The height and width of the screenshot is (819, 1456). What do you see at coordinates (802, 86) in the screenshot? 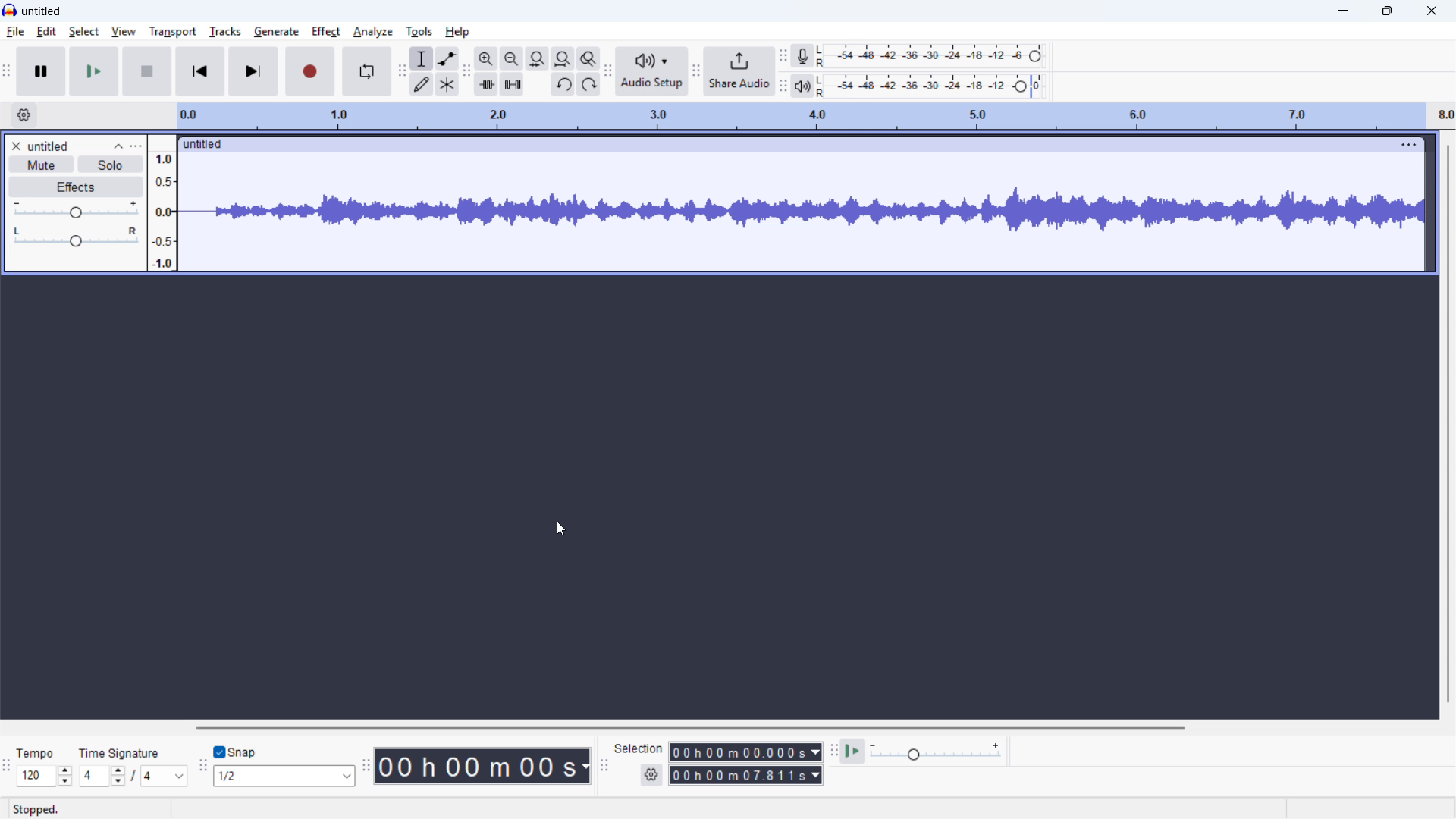
I see `Playback metre ` at bounding box center [802, 86].